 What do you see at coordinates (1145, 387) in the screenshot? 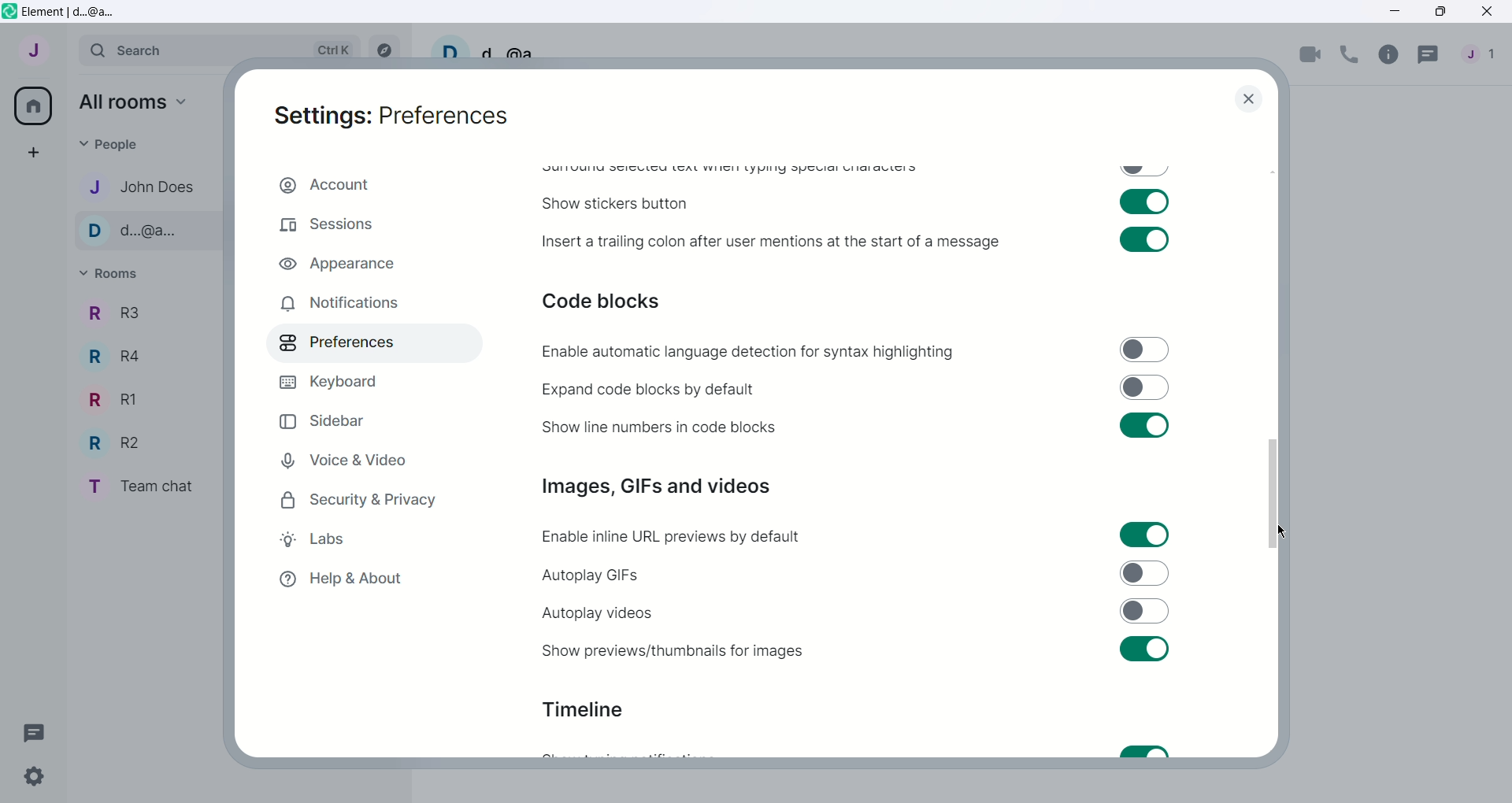
I see `Toggle switch off for expand code blocks by default` at bounding box center [1145, 387].